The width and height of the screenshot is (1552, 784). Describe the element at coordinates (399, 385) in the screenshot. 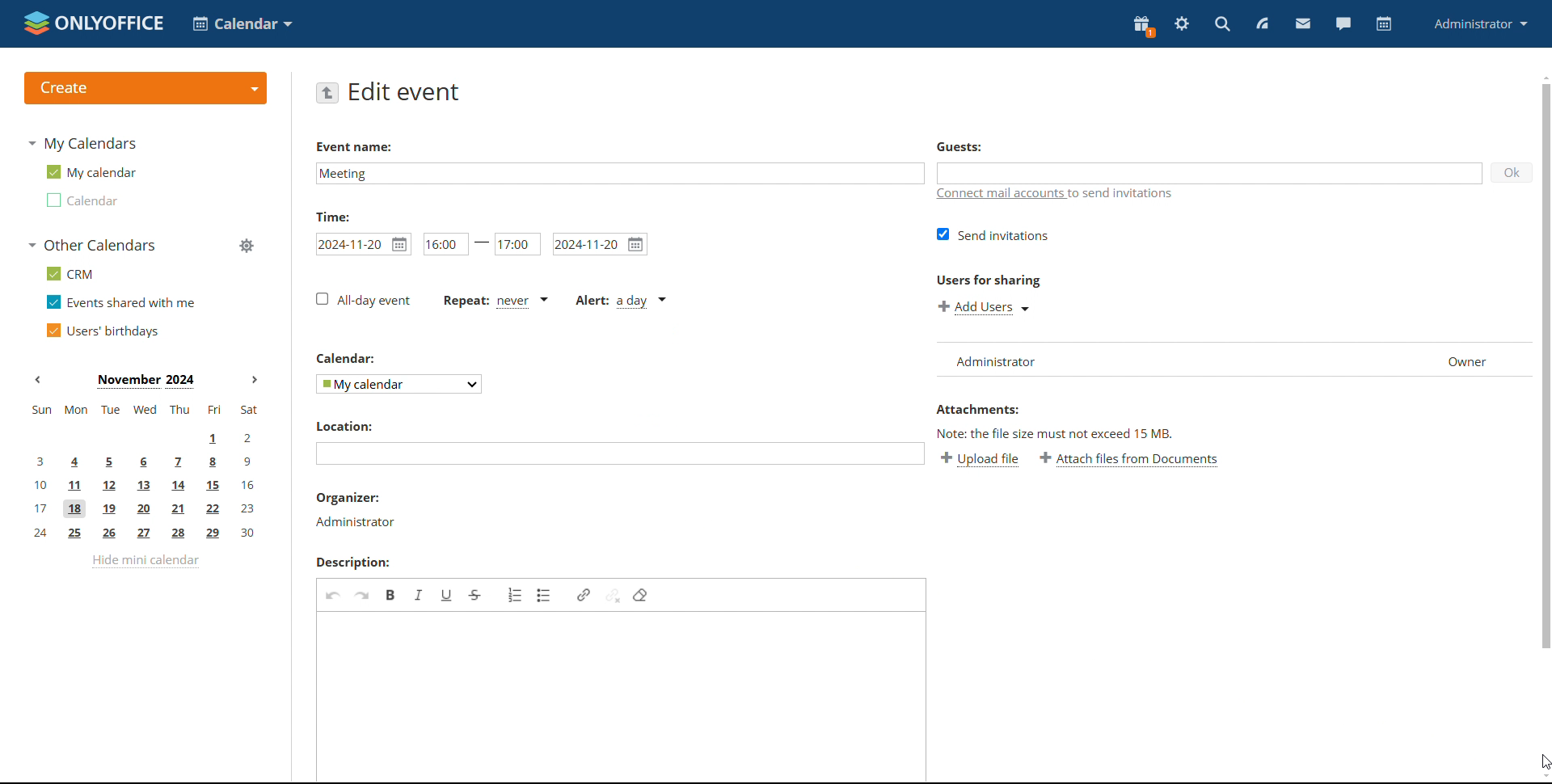

I see `select calendar` at that location.